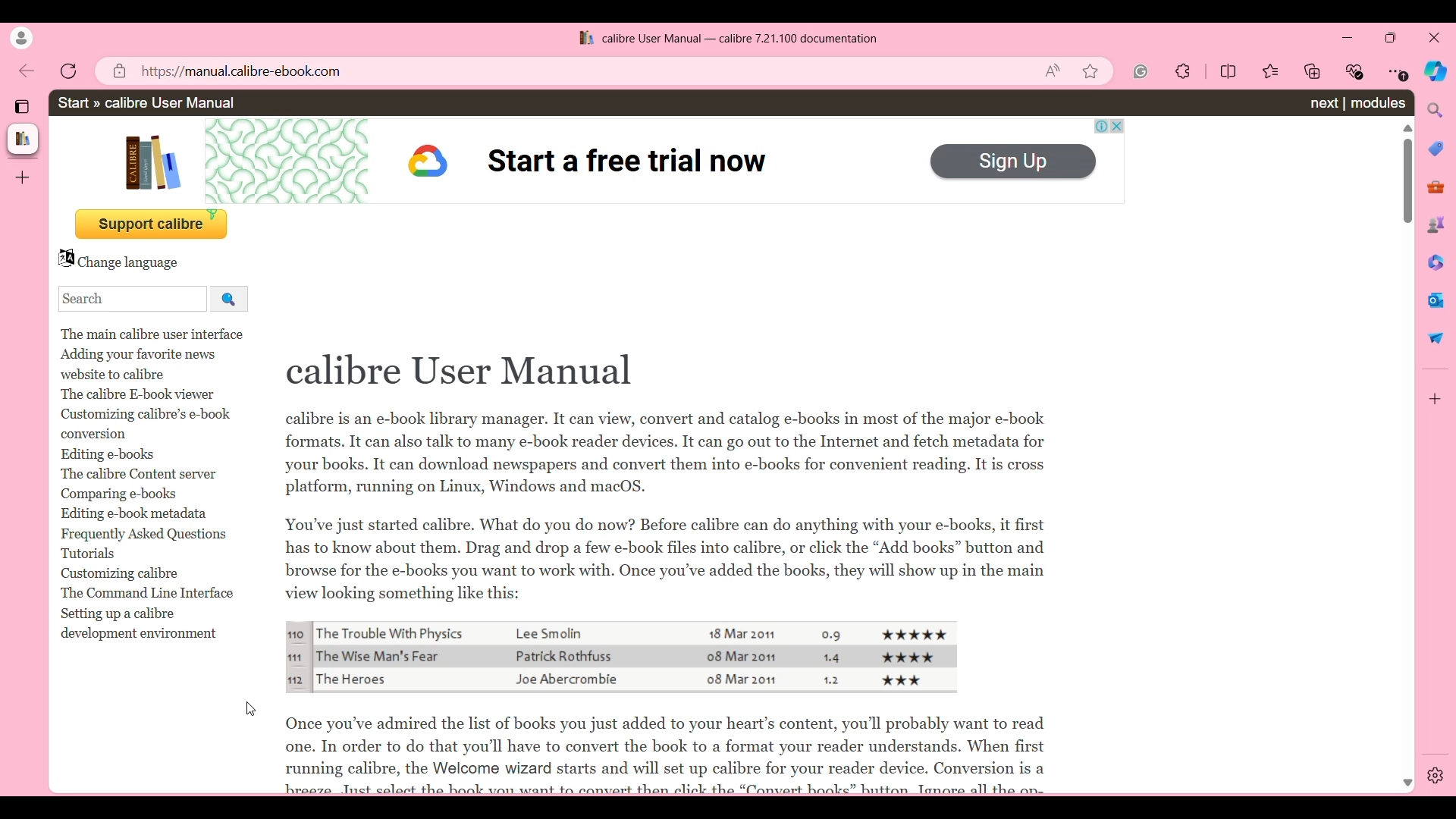 This screenshot has height=819, width=1456. What do you see at coordinates (133, 299) in the screenshot?
I see `Type in search` at bounding box center [133, 299].